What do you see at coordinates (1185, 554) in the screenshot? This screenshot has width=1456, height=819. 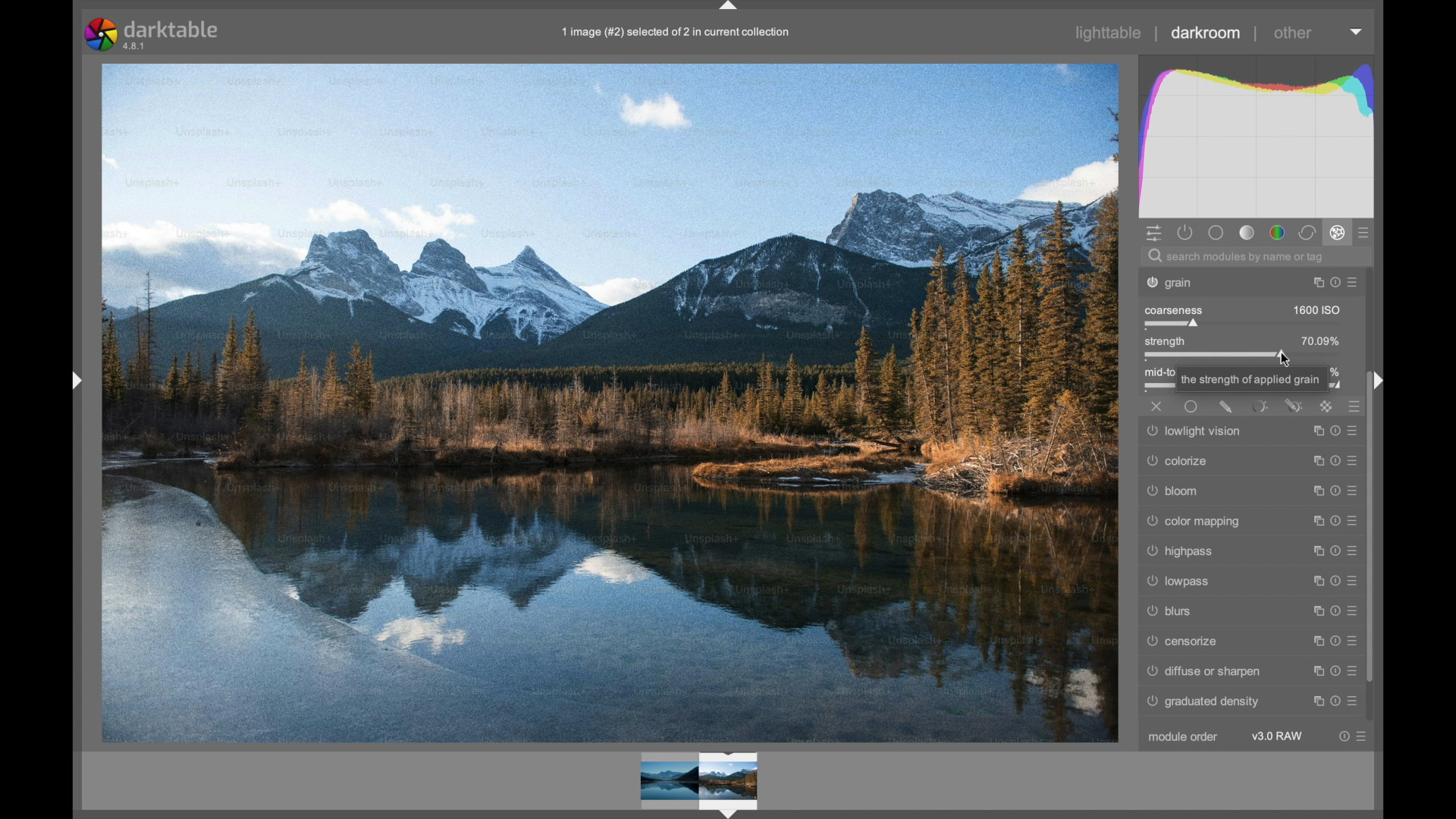 I see `highpass` at bounding box center [1185, 554].